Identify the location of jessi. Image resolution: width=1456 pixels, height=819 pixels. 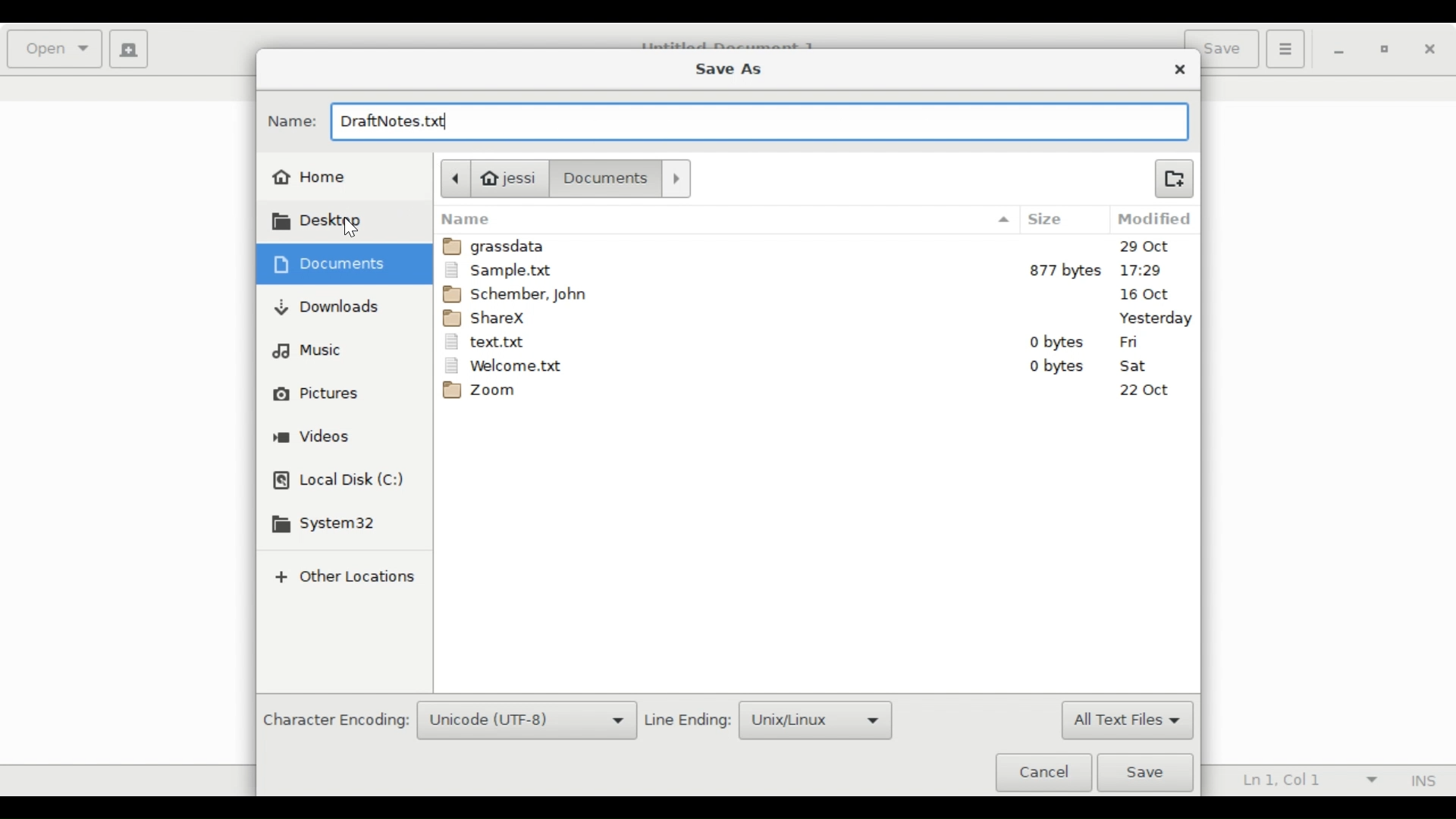
(492, 177).